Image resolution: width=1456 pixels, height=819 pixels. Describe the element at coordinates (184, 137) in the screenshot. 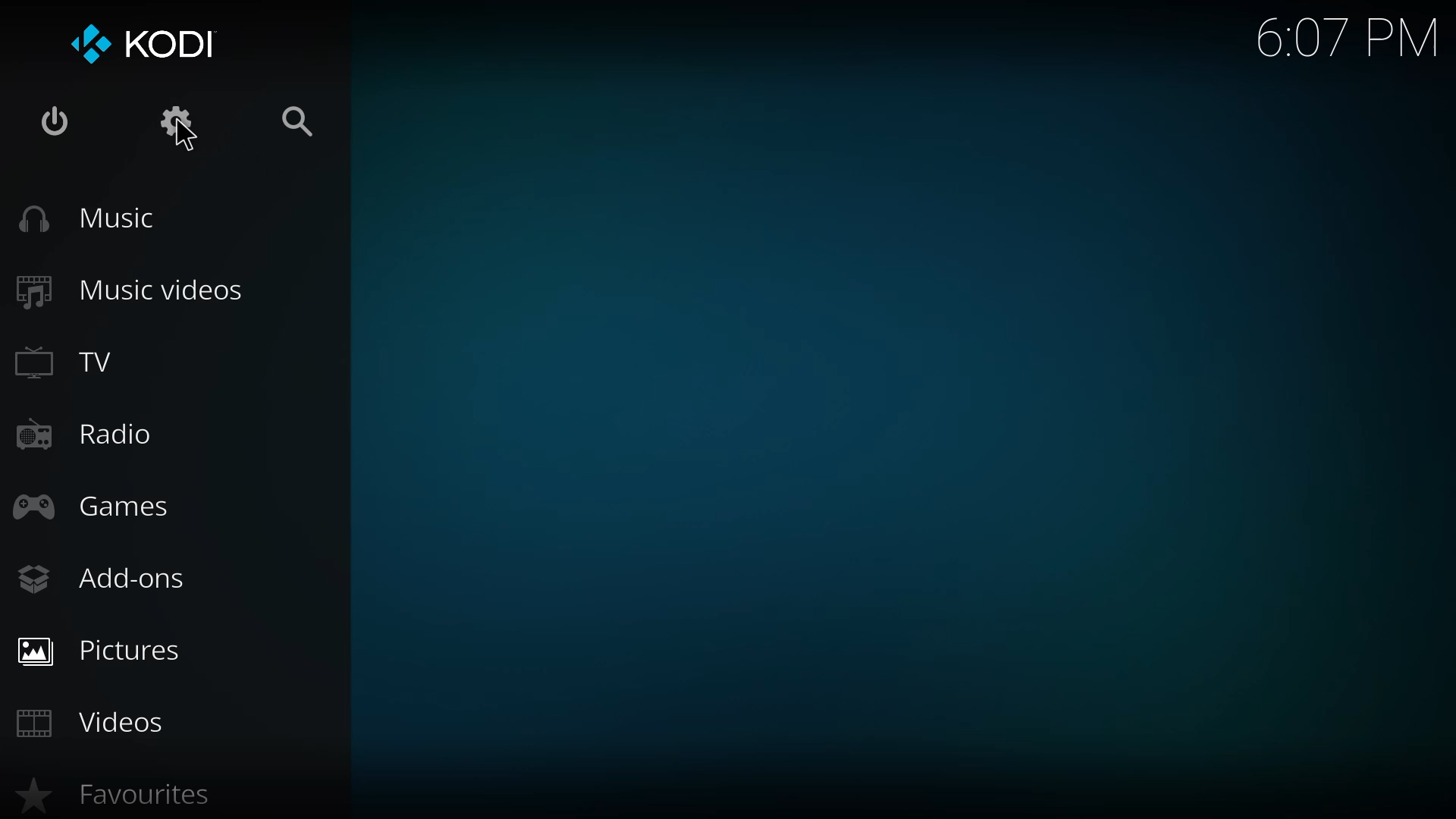

I see `cursor` at that location.